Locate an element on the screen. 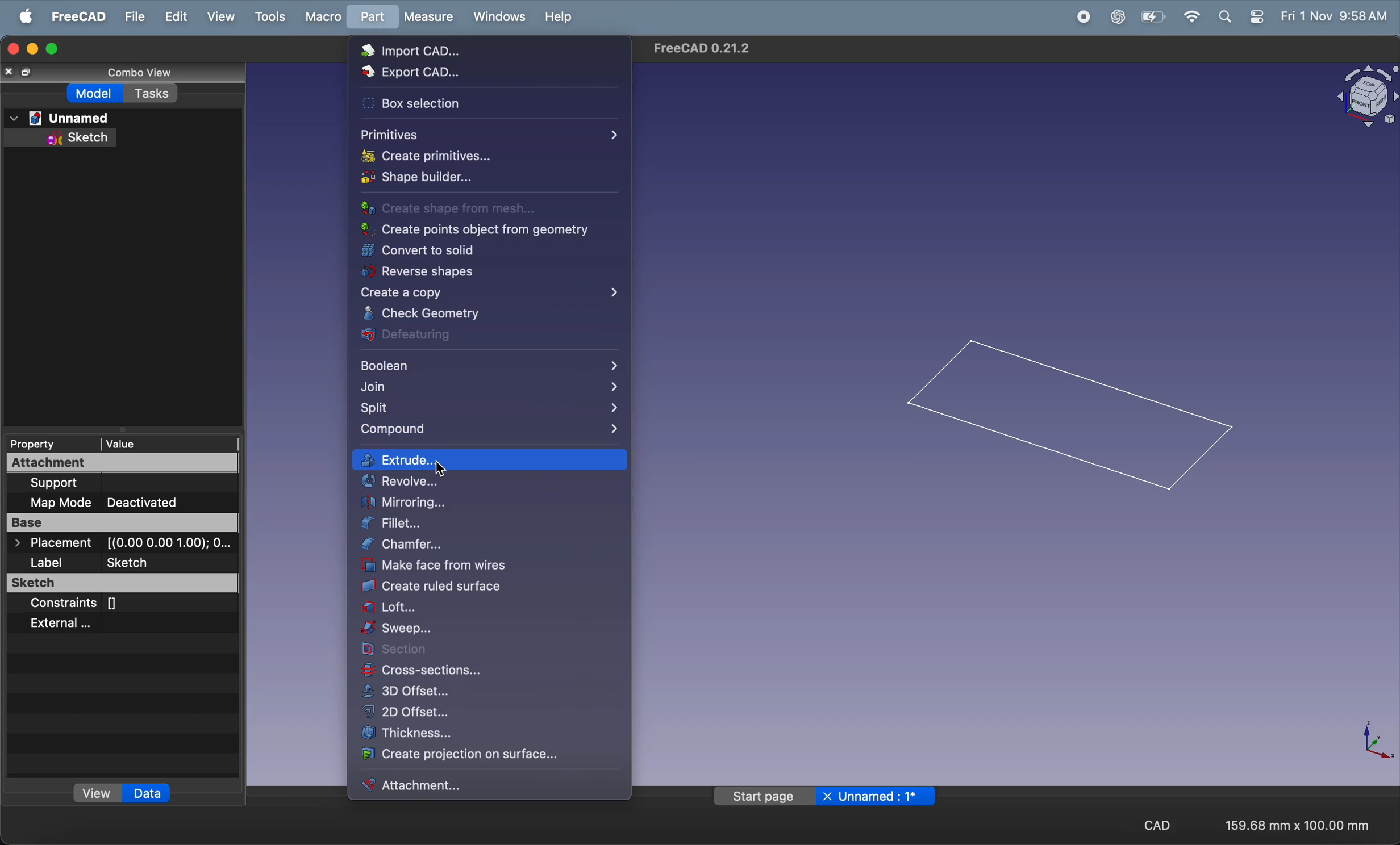  unnamed is located at coordinates (63, 118).